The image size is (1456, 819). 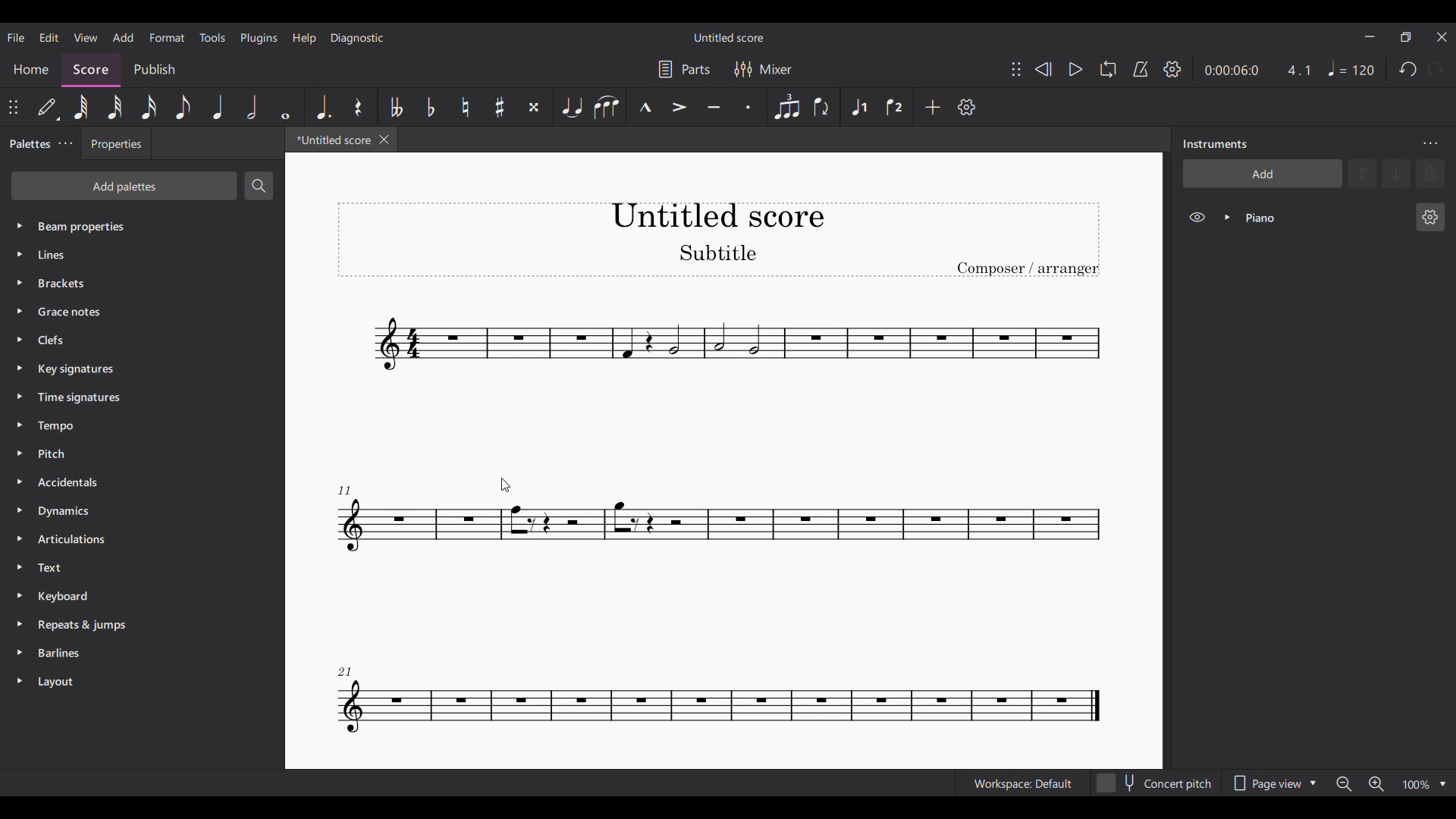 What do you see at coordinates (764, 69) in the screenshot?
I see `Mixer settings` at bounding box center [764, 69].